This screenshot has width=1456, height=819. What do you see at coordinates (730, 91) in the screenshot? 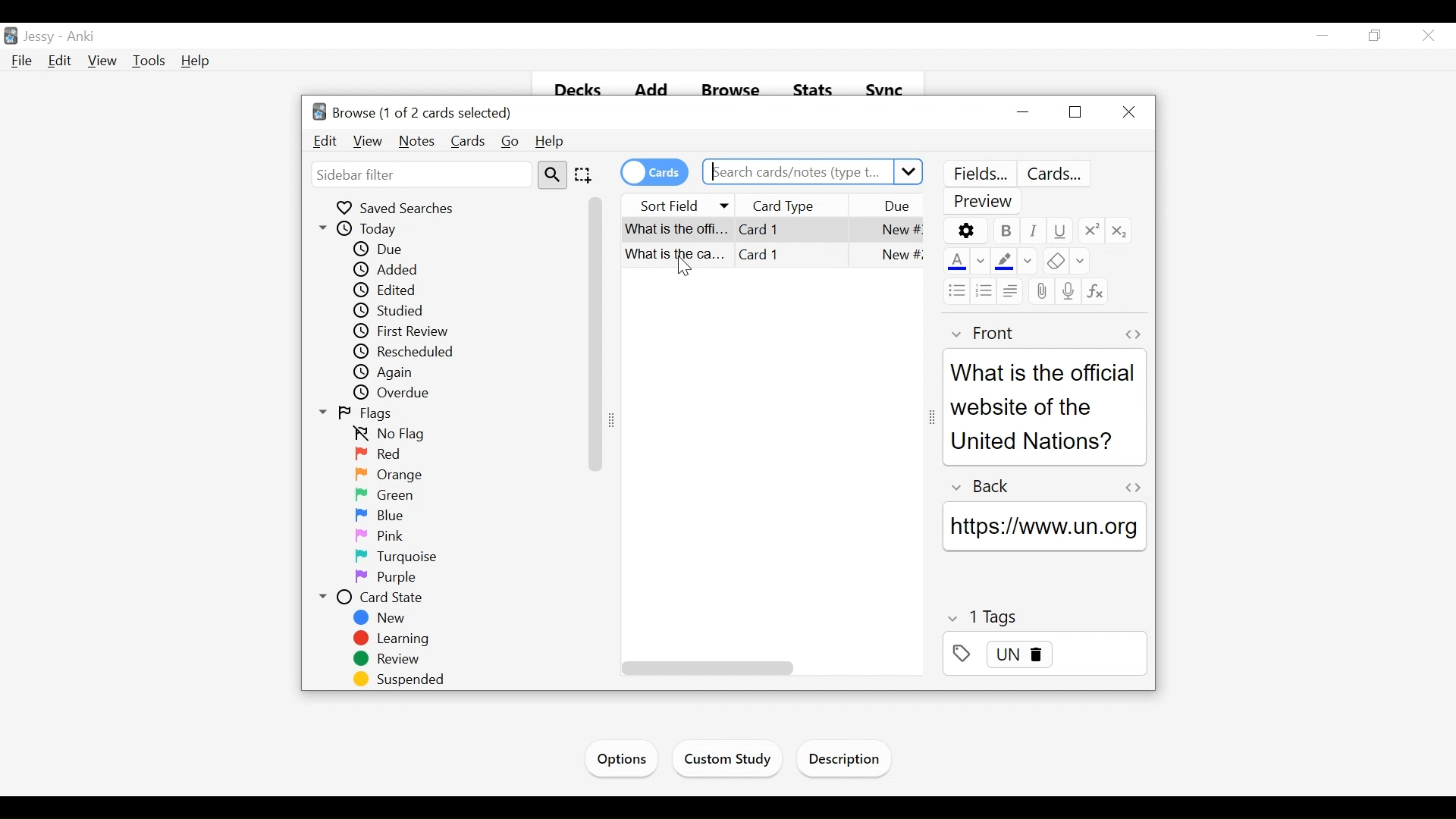
I see `Browse` at bounding box center [730, 91].